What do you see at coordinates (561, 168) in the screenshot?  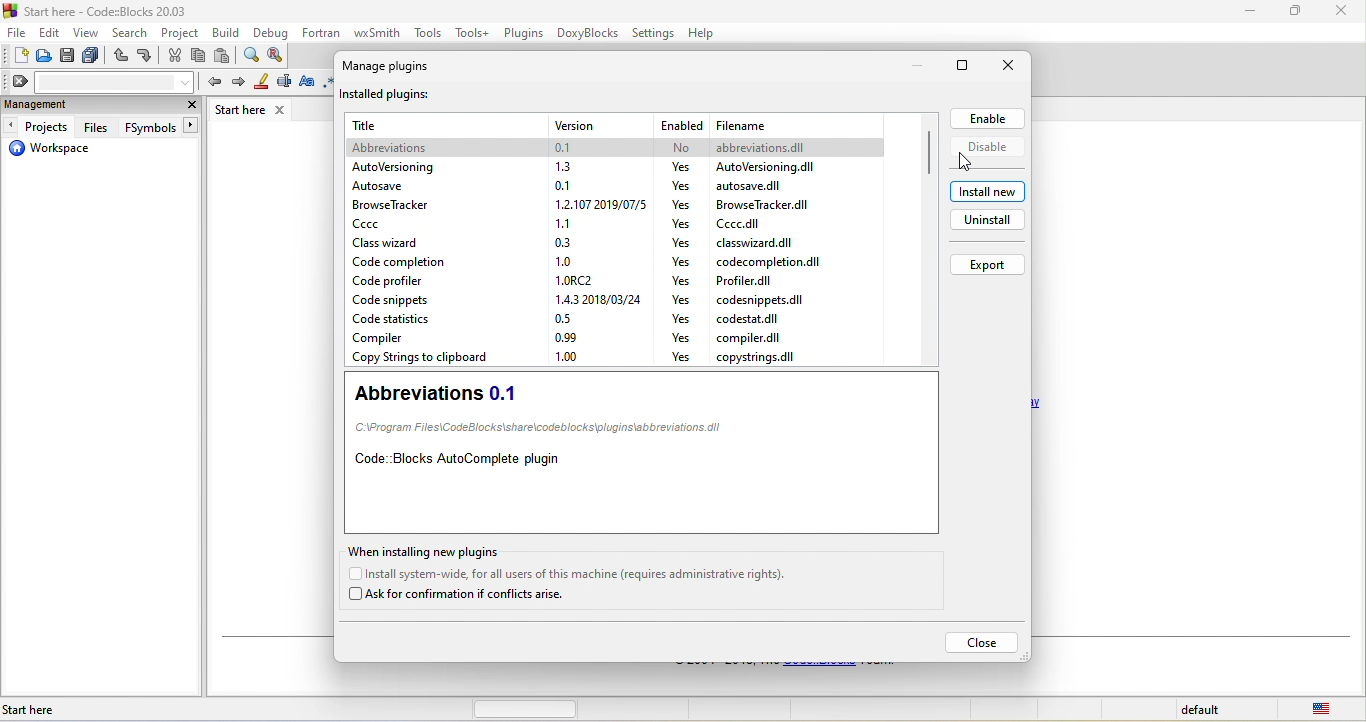 I see `version ` at bounding box center [561, 168].